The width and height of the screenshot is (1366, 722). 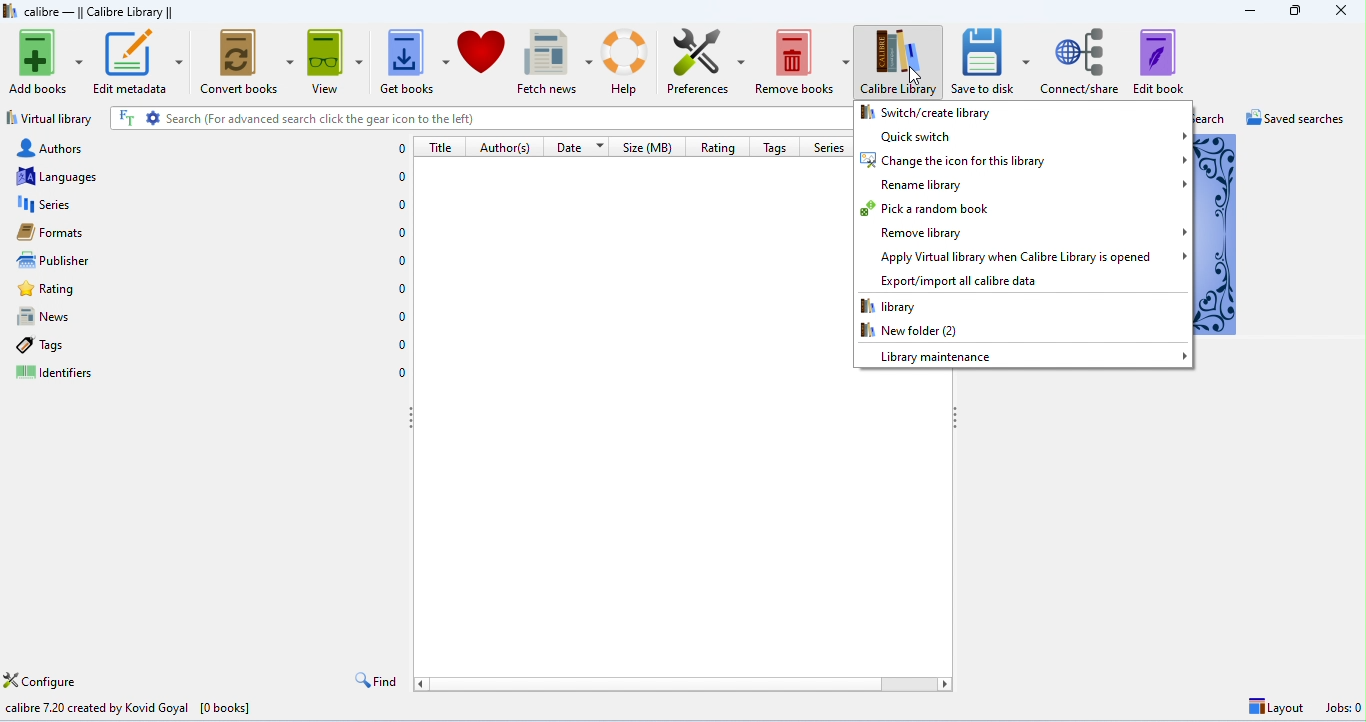 I want to click on donate to support calibre, so click(x=482, y=60).